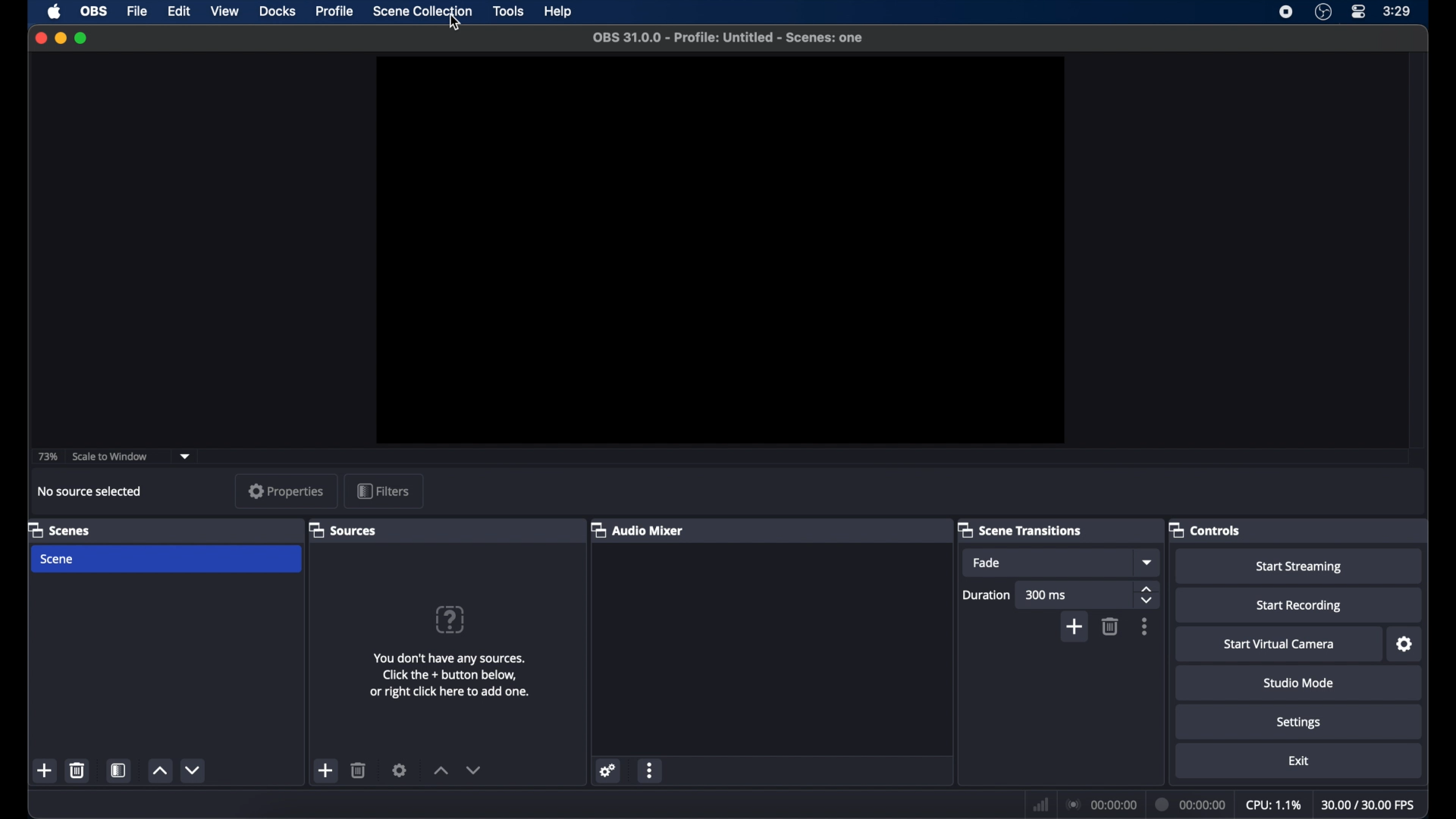 This screenshot has height=819, width=1456. I want to click on decrement, so click(475, 770).